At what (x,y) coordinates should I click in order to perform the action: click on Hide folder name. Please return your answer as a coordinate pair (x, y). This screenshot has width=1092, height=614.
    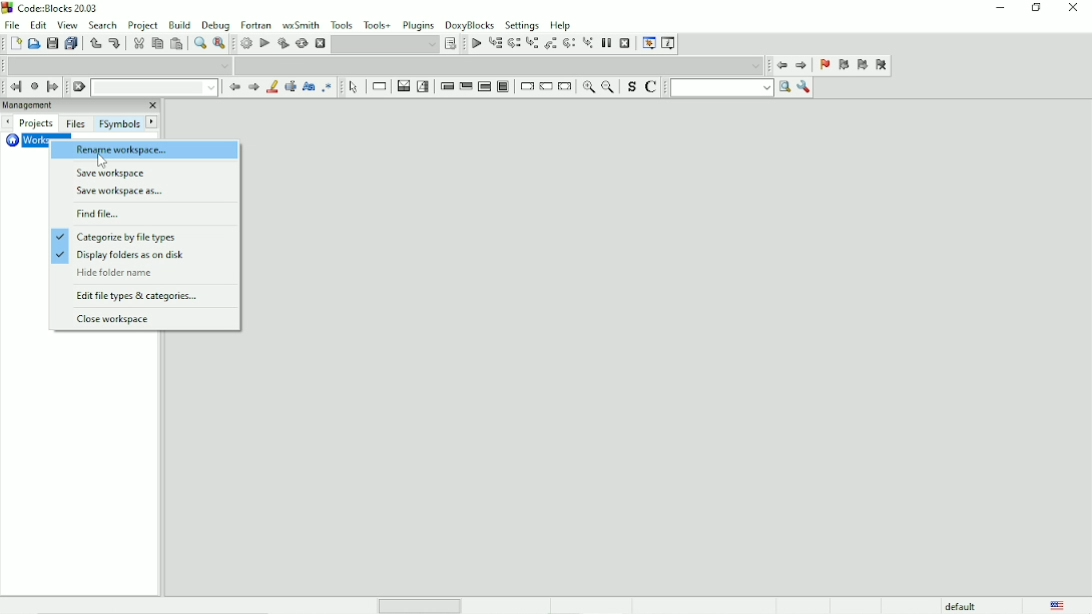
    Looking at the image, I should click on (117, 273).